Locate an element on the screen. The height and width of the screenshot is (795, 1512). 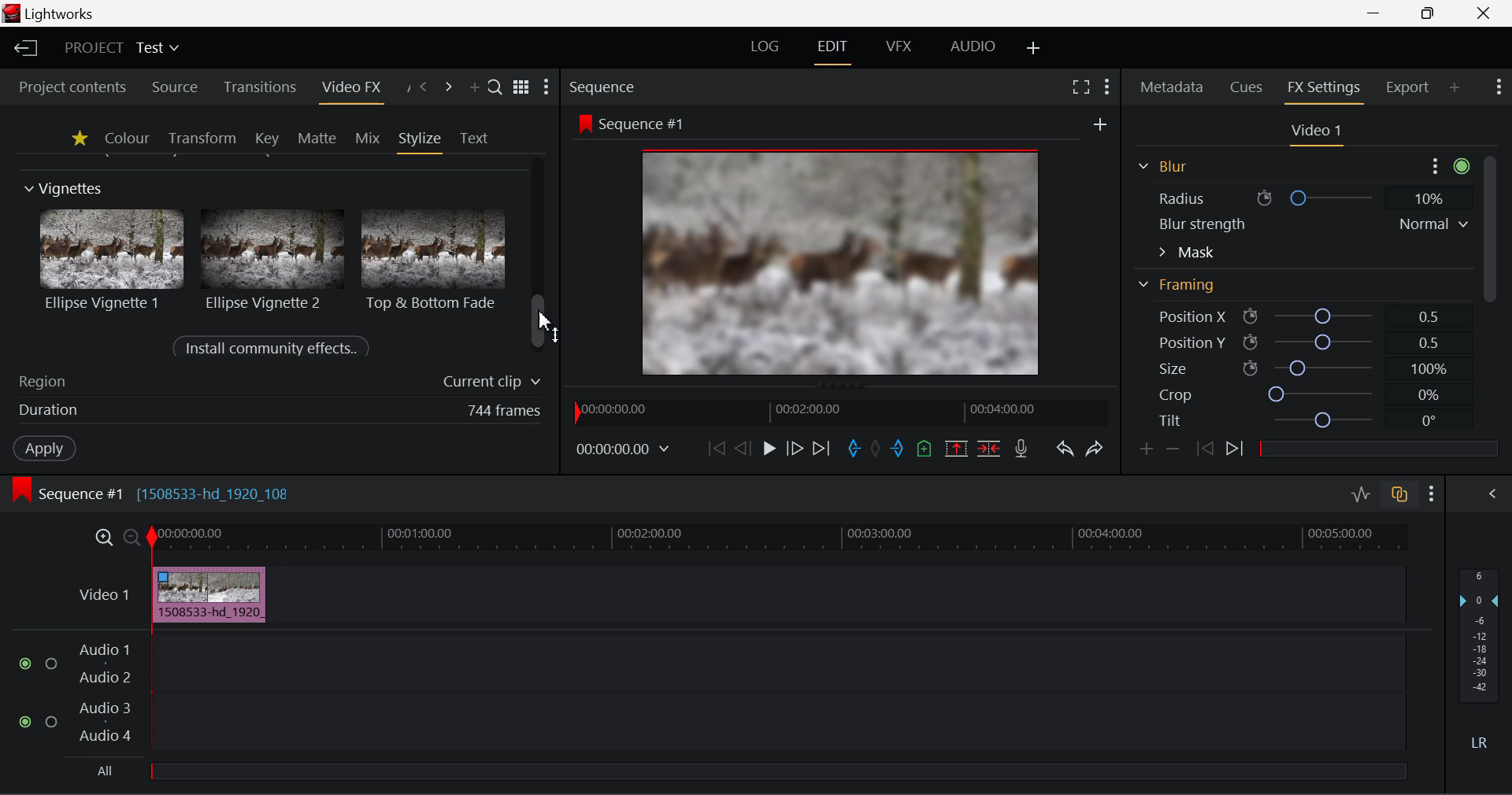
Project Timeline Navigator is located at coordinates (836, 412).